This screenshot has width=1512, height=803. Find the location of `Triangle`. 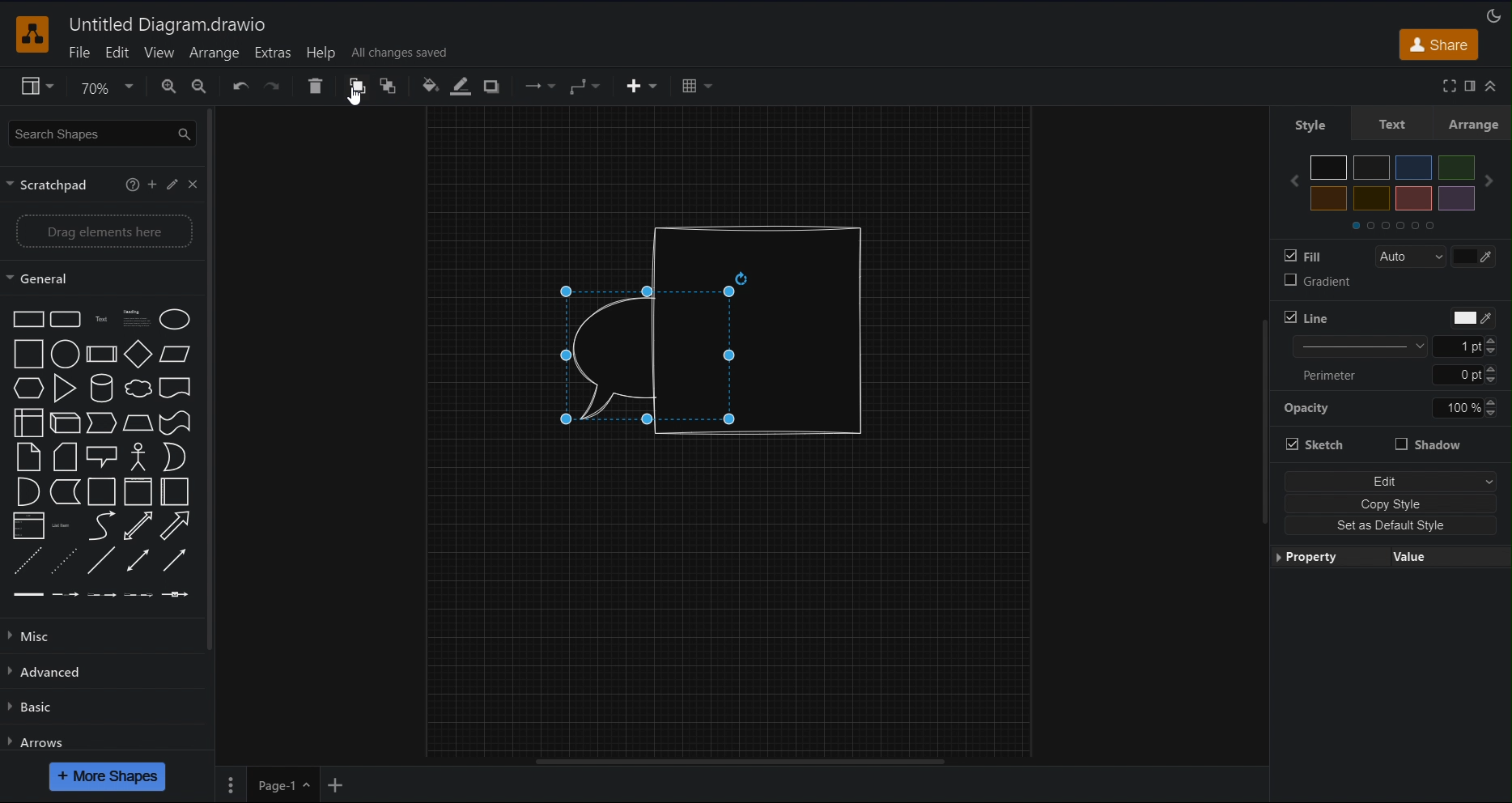

Triangle is located at coordinates (64, 388).